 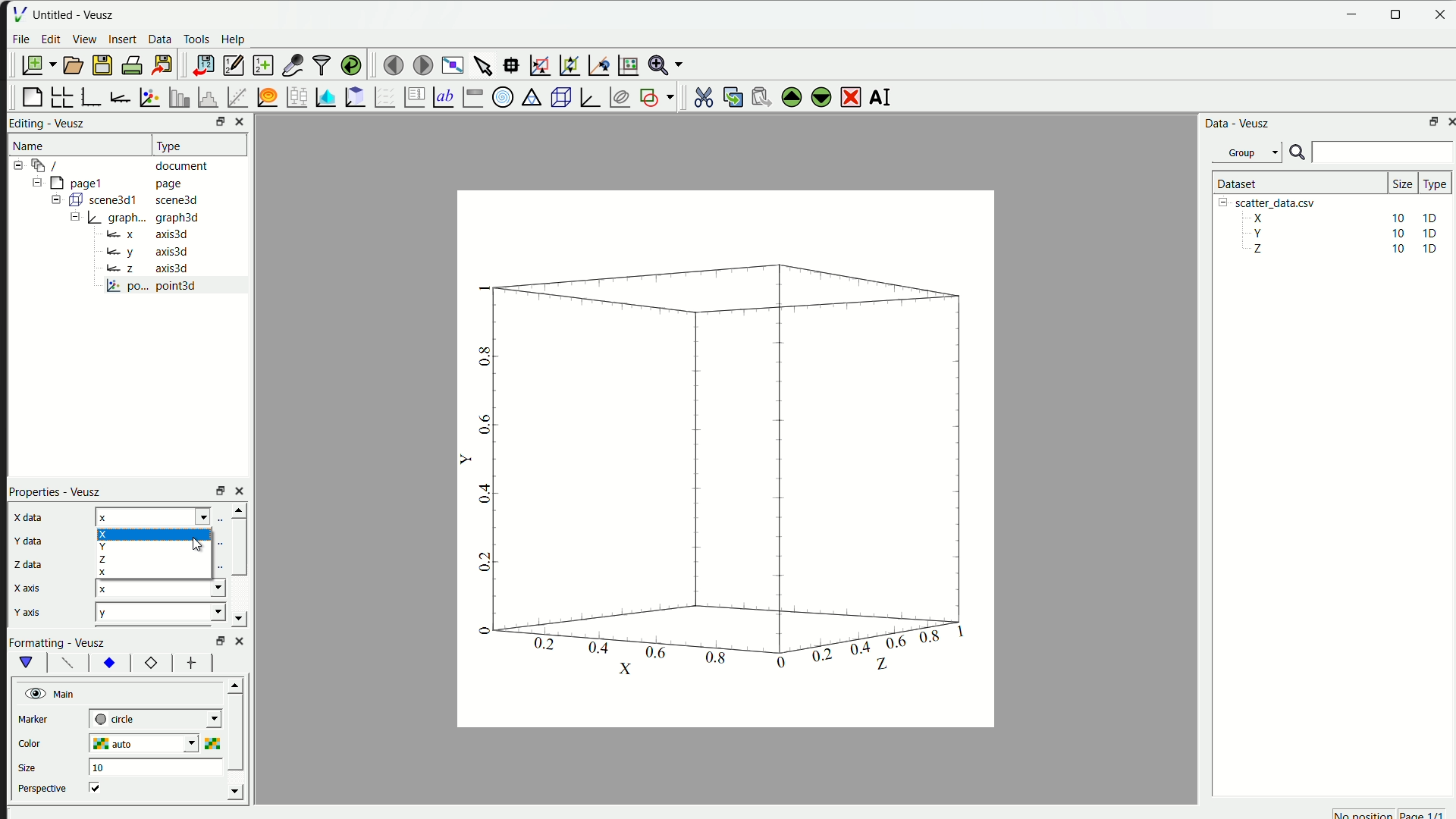 What do you see at coordinates (756, 97) in the screenshot?
I see `paste the widget from the clipboard` at bounding box center [756, 97].